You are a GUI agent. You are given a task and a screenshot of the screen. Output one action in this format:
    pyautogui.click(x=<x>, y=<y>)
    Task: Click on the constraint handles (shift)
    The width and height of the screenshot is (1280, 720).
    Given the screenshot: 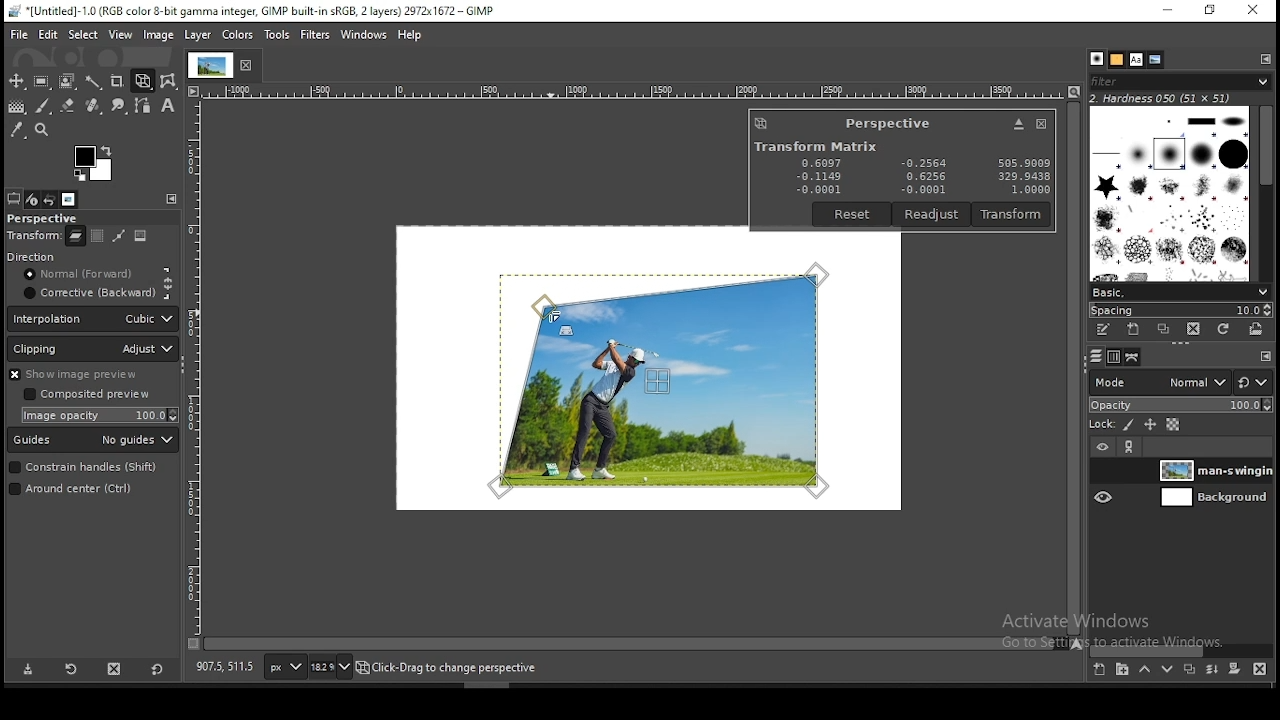 What is the action you would take?
    pyautogui.click(x=84, y=468)
    